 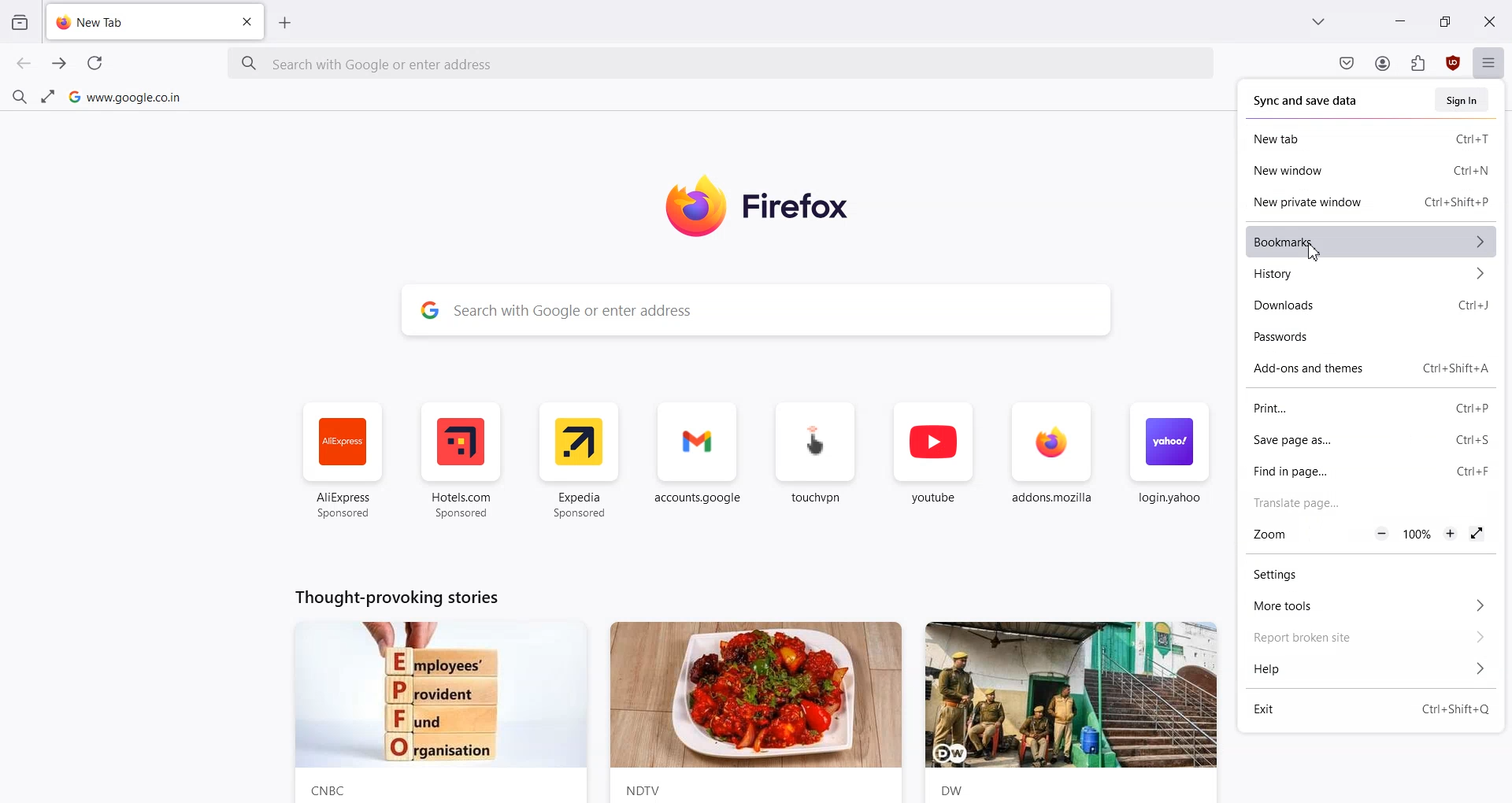 I want to click on Account, so click(x=1383, y=64).